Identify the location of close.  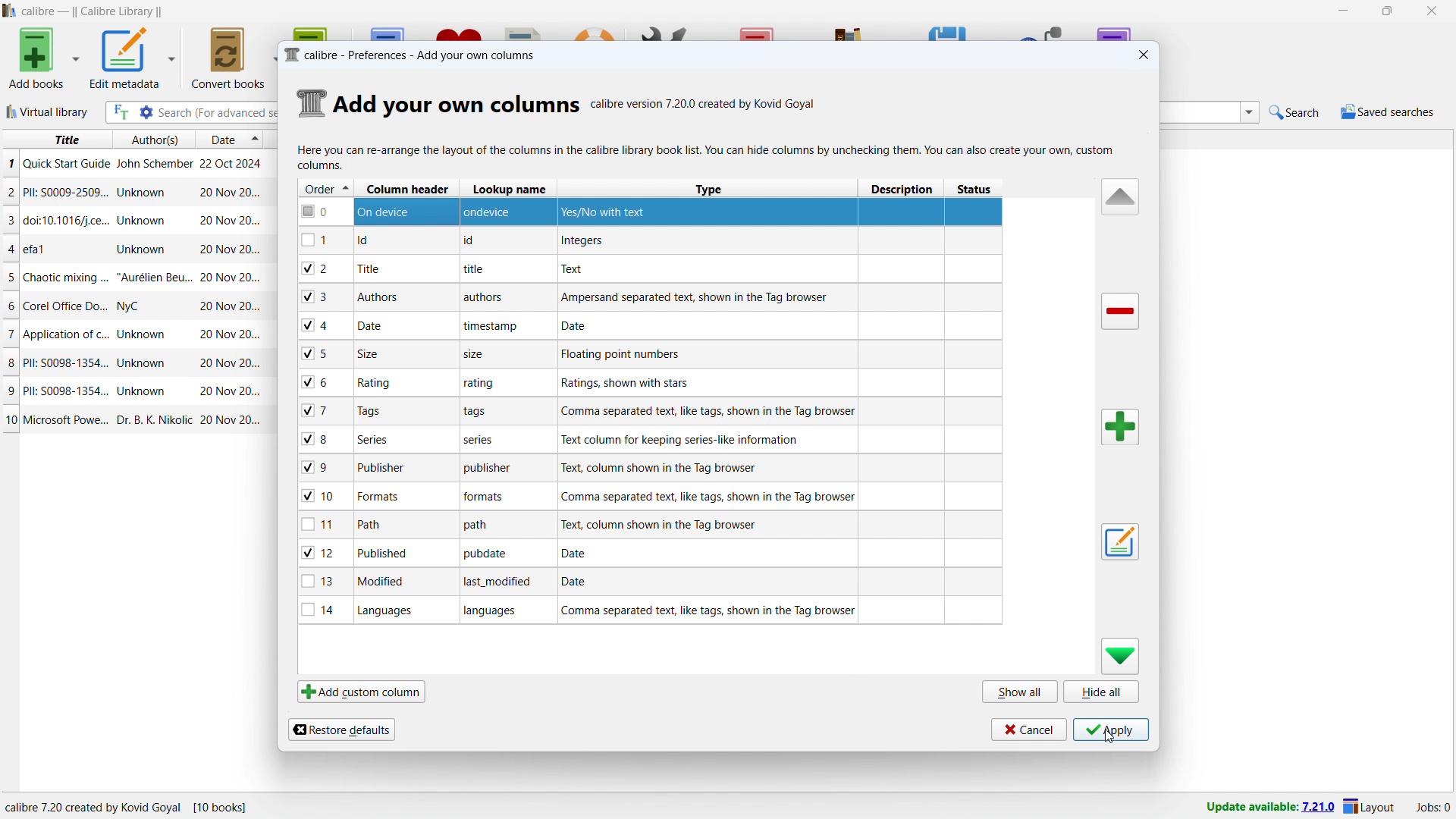
(1433, 11).